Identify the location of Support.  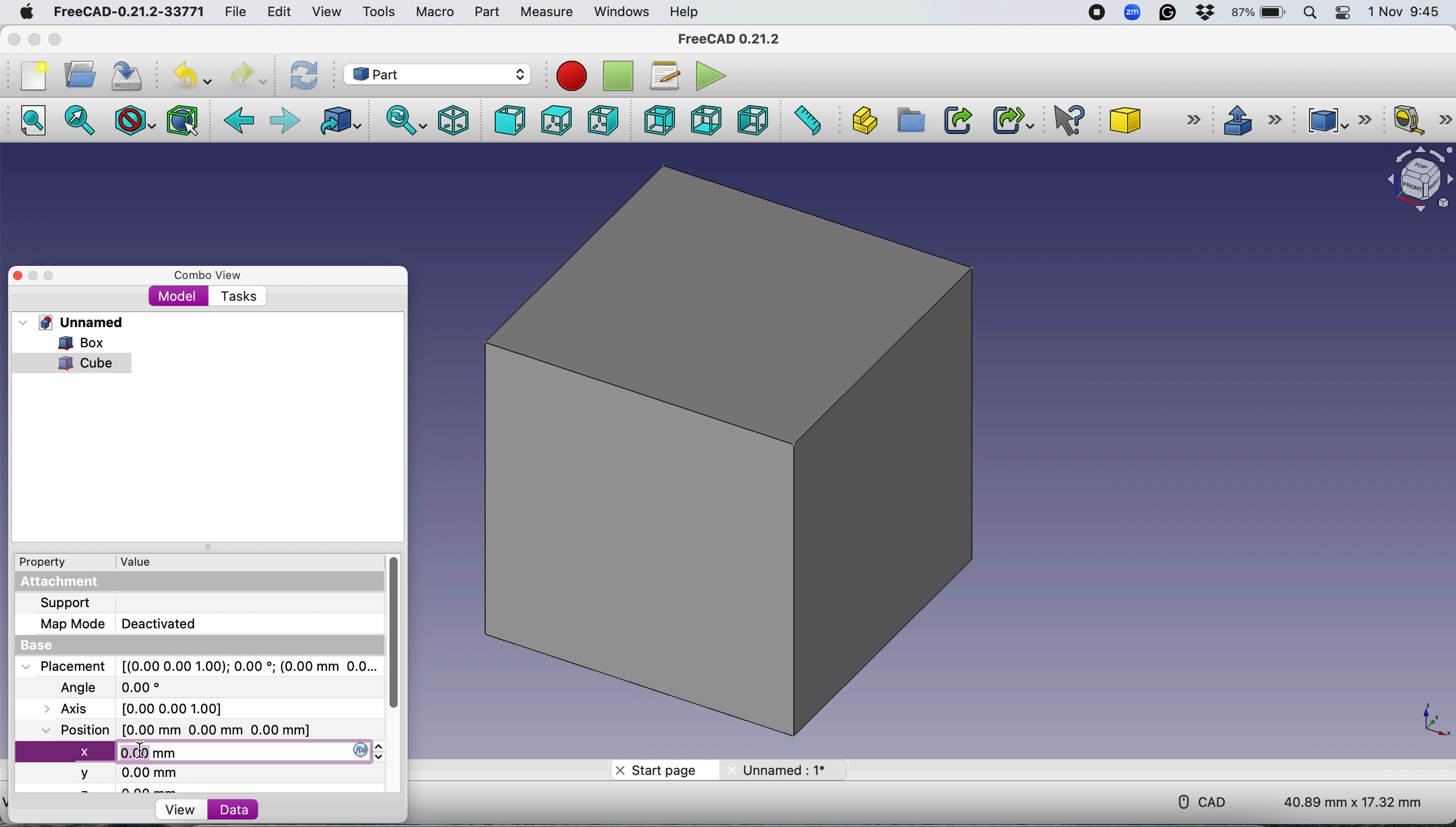
(65, 602).